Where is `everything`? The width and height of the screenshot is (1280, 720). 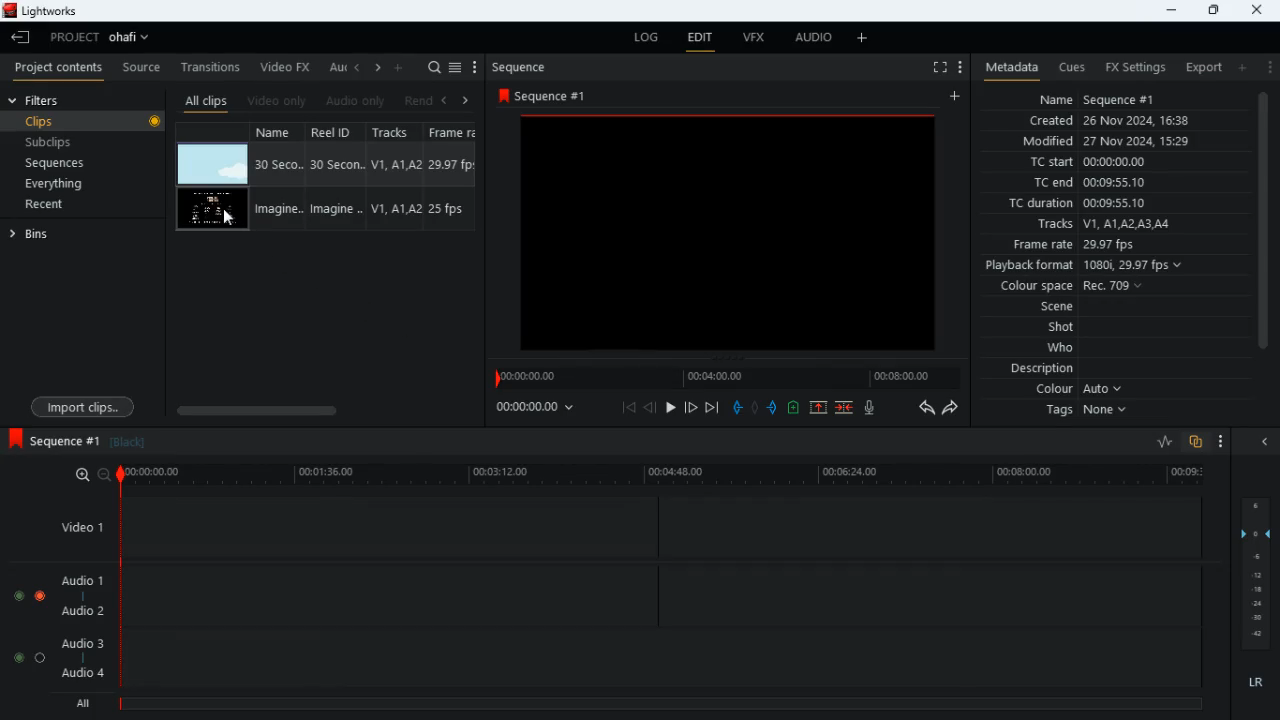
everything is located at coordinates (51, 185).